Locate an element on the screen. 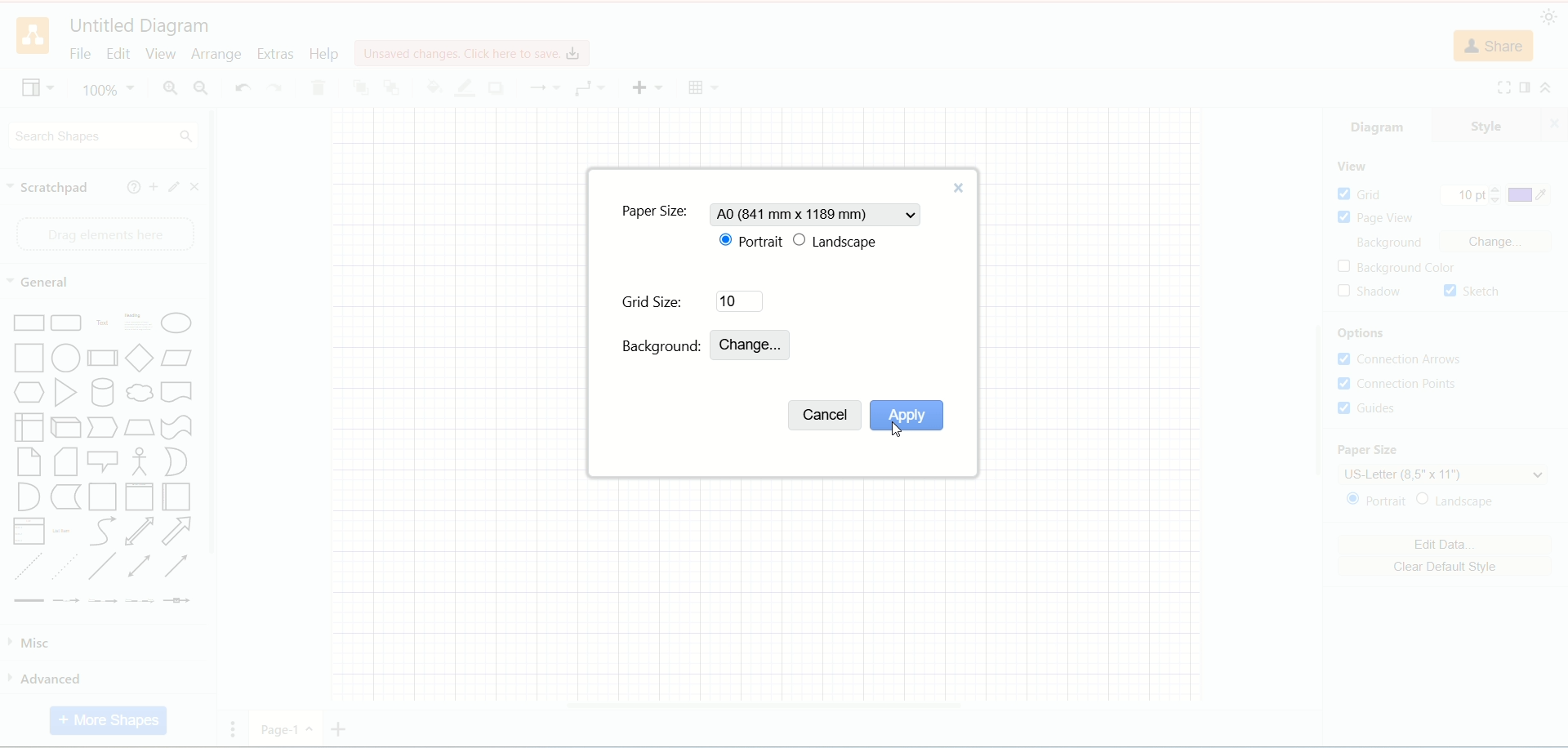 Image resolution: width=1568 pixels, height=748 pixels. line color is located at coordinates (462, 87).